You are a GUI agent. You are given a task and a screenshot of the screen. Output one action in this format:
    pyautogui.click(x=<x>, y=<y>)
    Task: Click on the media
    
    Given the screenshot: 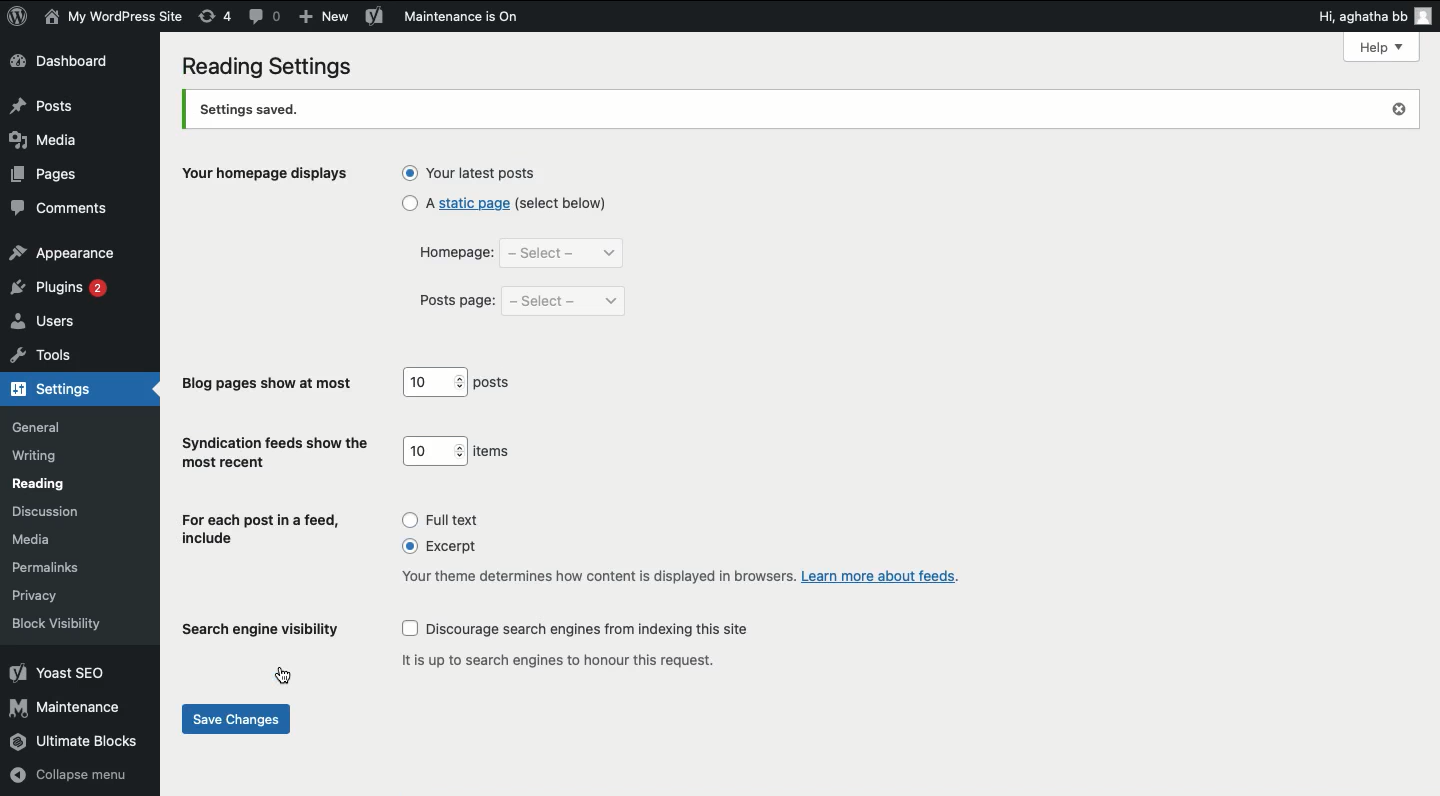 What is the action you would take?
    pyautogui.click(x=31, y=540)
    